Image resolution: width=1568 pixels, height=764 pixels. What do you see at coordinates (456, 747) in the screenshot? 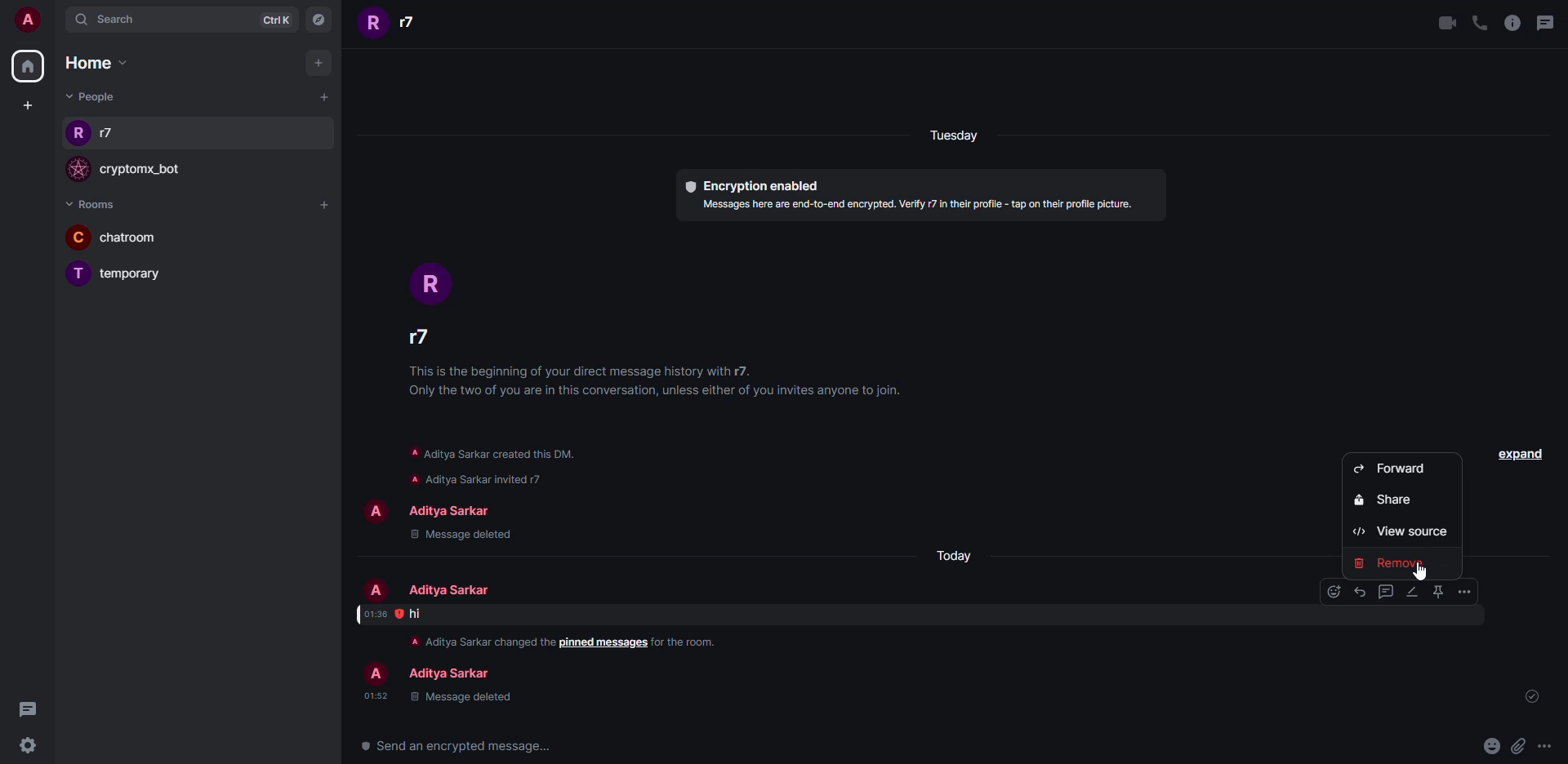
I see `send encrypted message` at bounding box center [456, 747].